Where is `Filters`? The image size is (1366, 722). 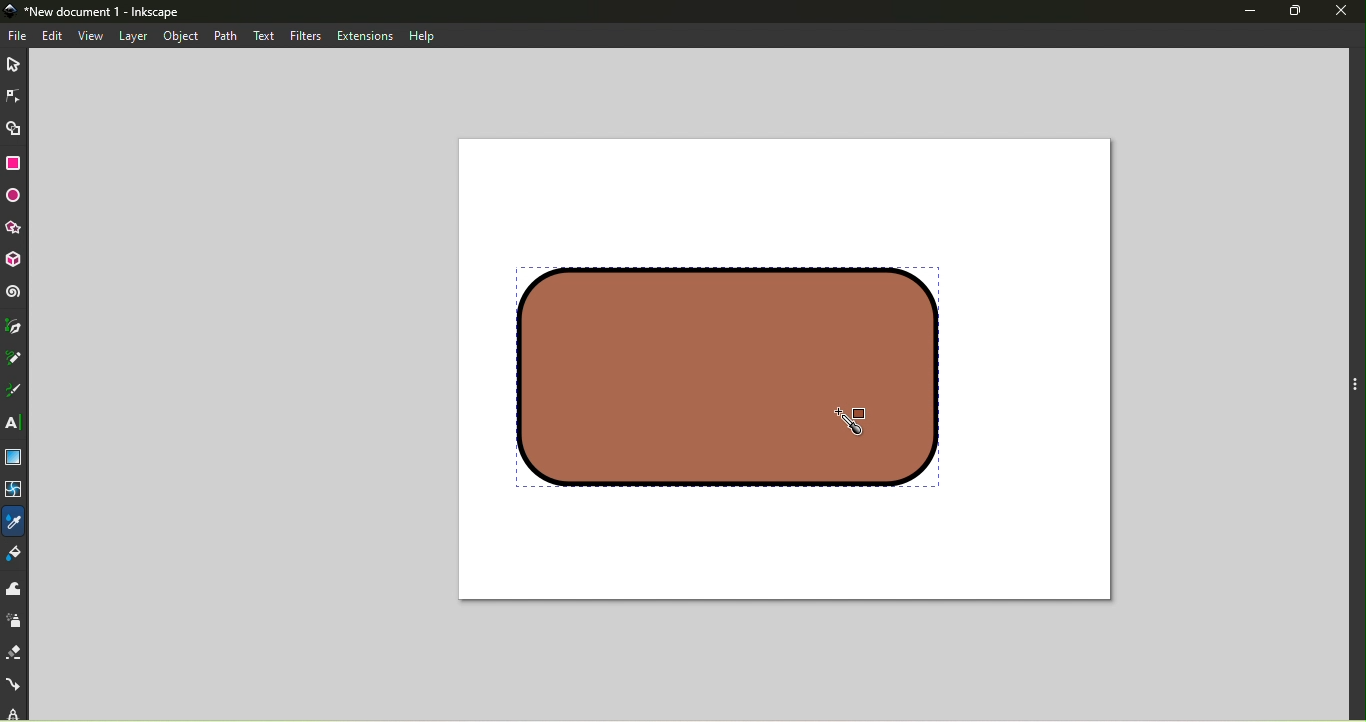 Filters is located at coordinates (300, 35).